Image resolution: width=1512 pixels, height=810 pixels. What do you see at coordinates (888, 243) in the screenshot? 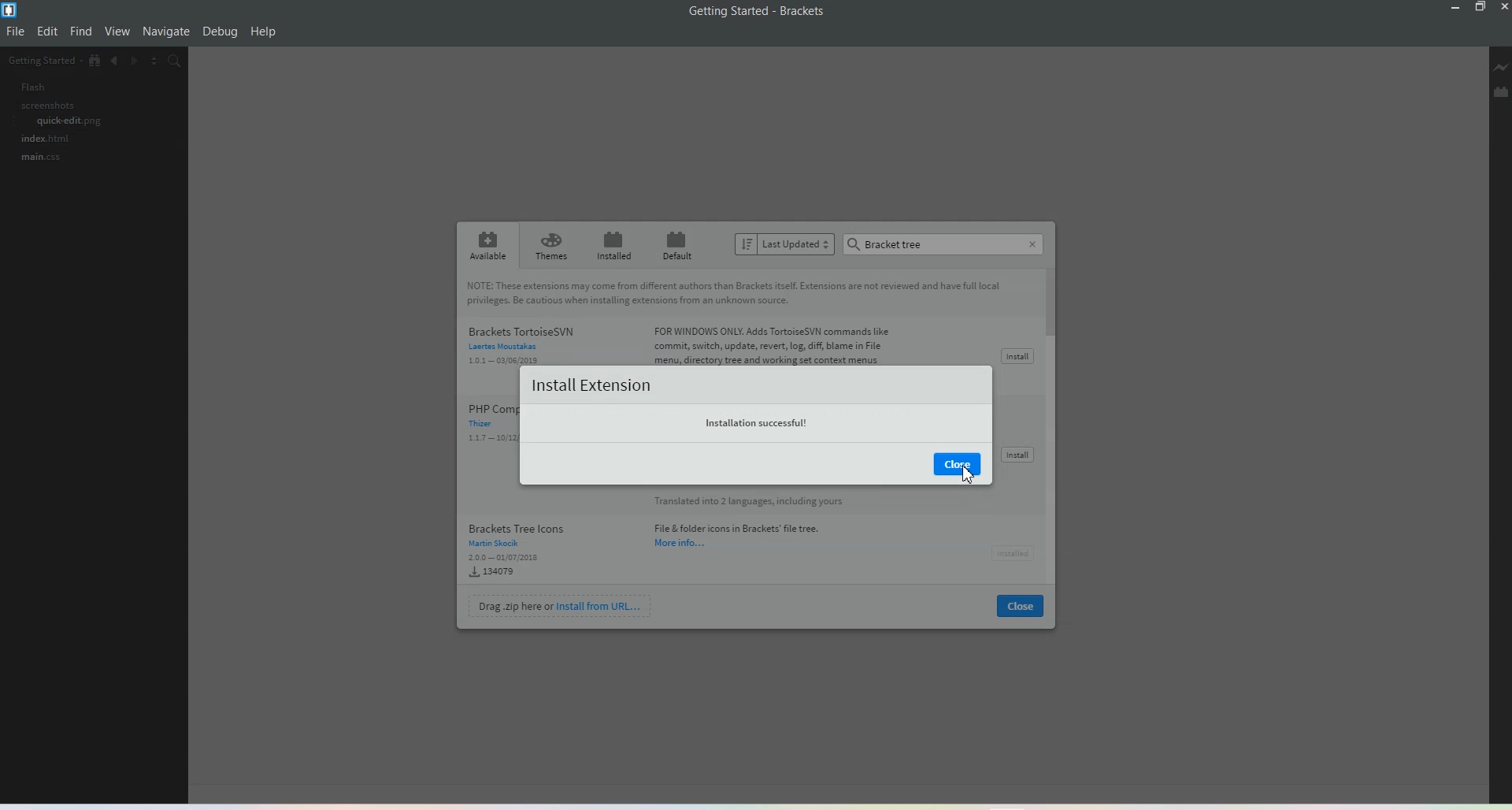
I see `Text` at bounding box center [888, 243].